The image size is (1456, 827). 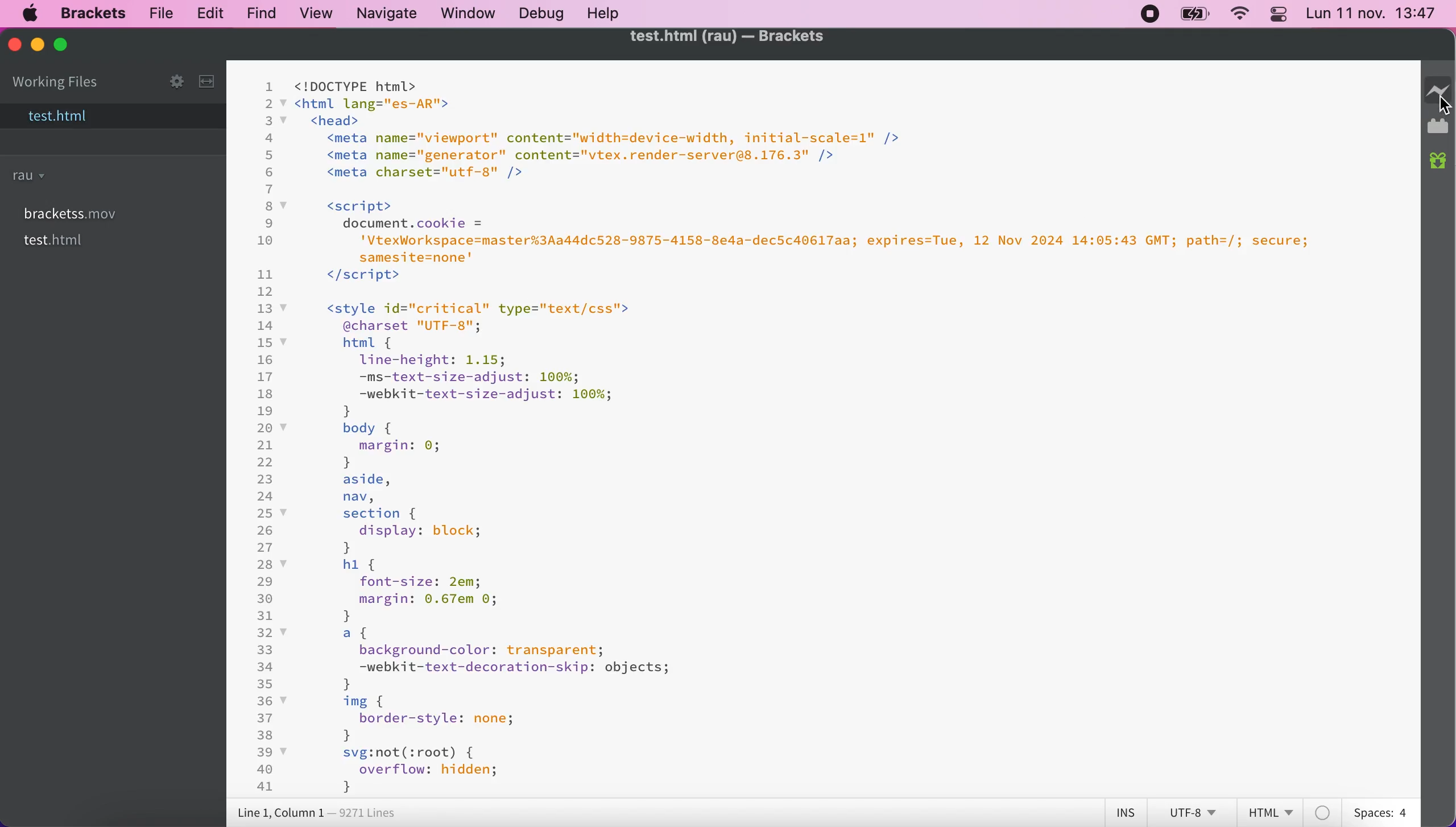 What do you see at coordinates (1385, 812) in the screenshot?
I see `spaces` at bounding box center [1385, 812].